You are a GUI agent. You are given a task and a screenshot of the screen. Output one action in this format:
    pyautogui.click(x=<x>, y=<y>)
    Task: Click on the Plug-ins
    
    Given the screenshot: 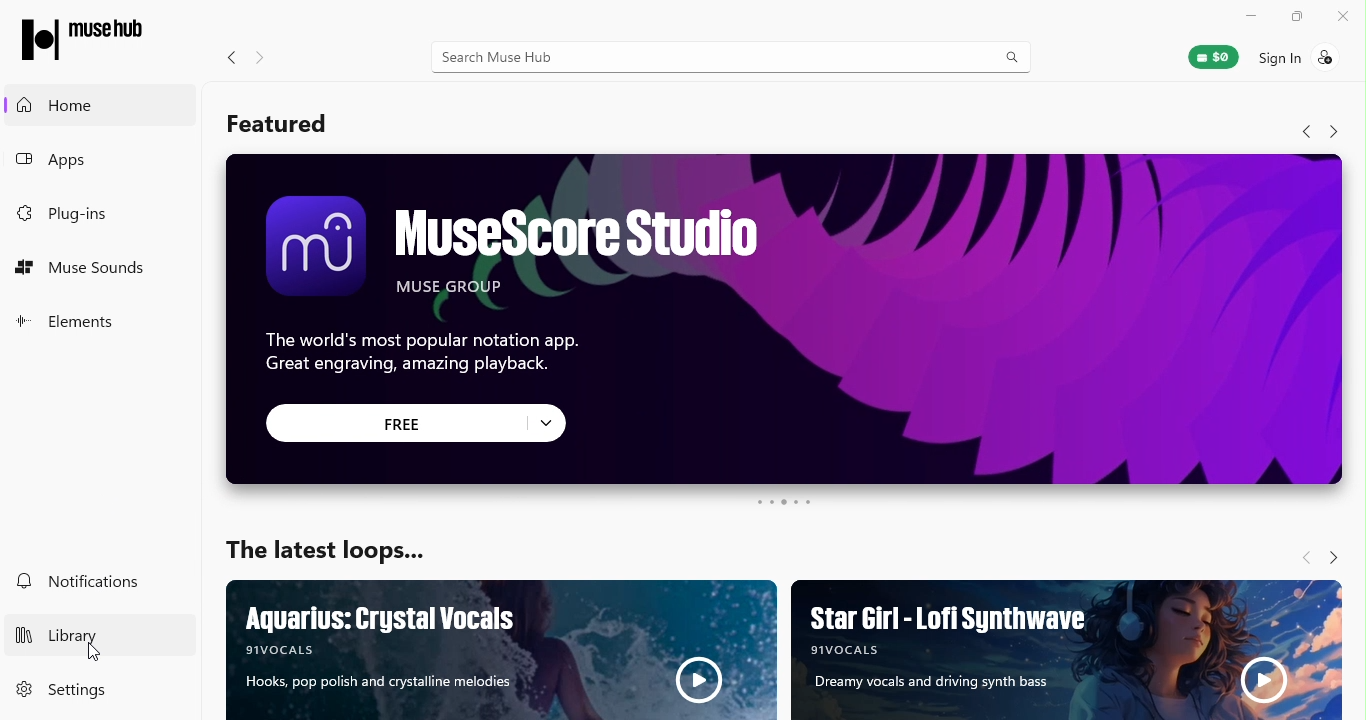 What is the action you would take?
    pyautogui.click(x=76, y=216)
    